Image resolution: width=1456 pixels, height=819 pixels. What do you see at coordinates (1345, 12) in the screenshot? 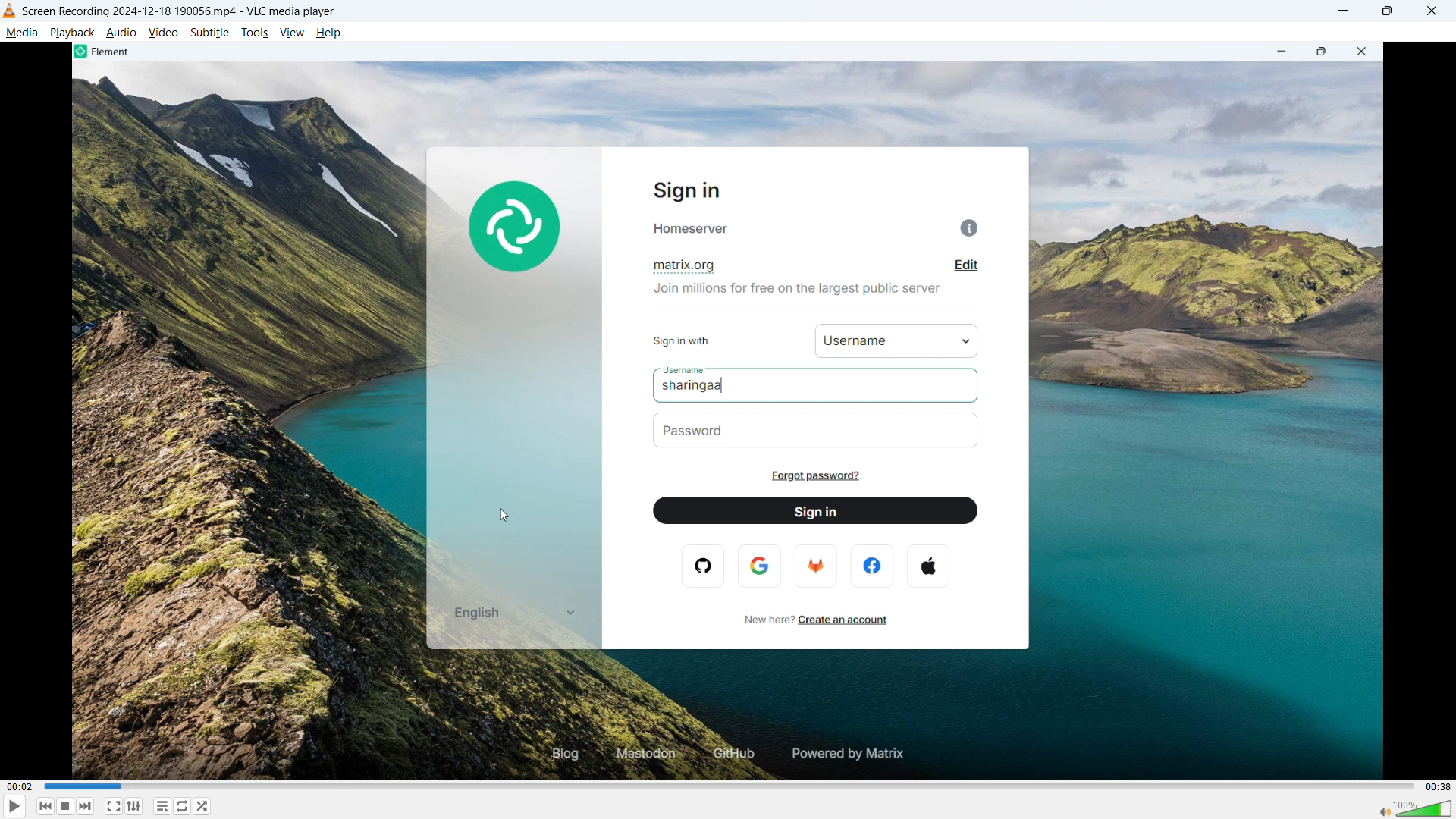
I see `minimise ` at bounding box center [1345, 12].